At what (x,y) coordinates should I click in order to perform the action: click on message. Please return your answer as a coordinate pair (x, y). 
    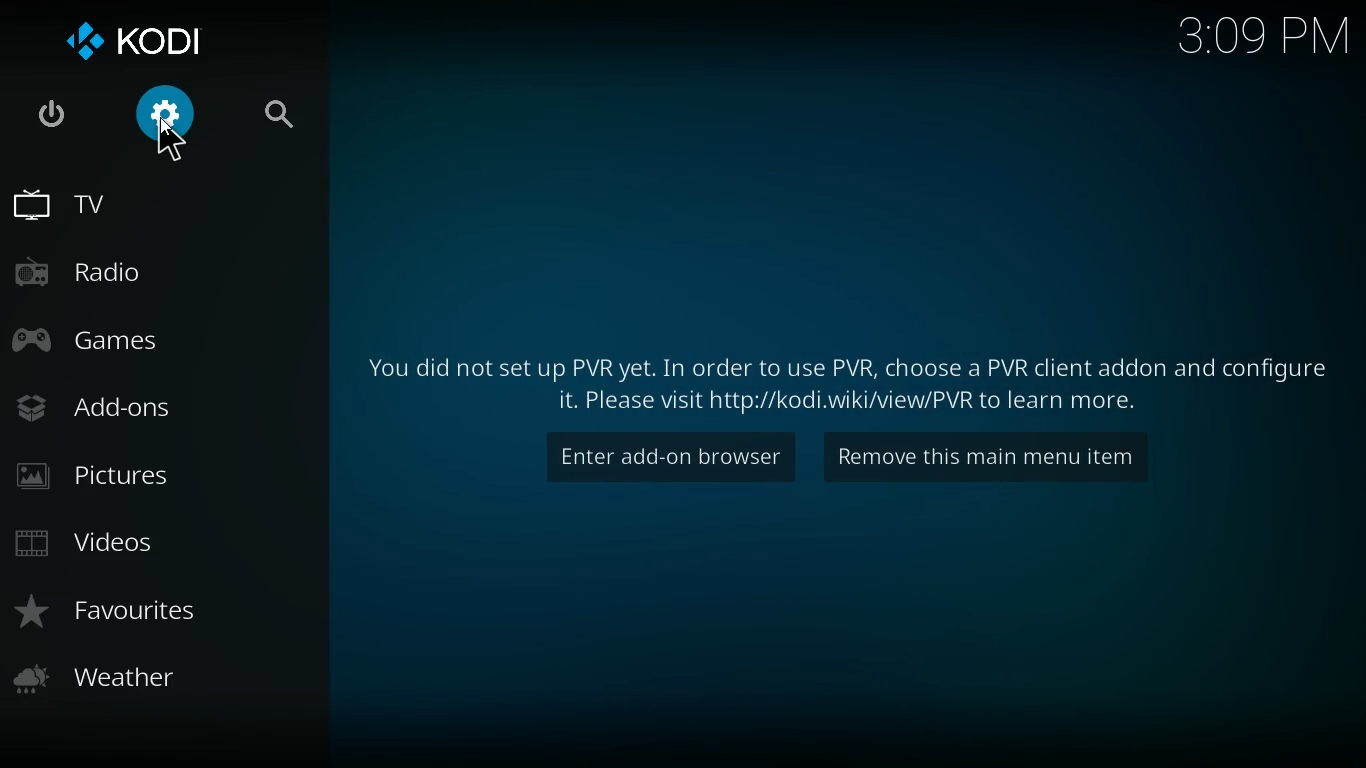
    Looking at the image, I should click on (859, 378).